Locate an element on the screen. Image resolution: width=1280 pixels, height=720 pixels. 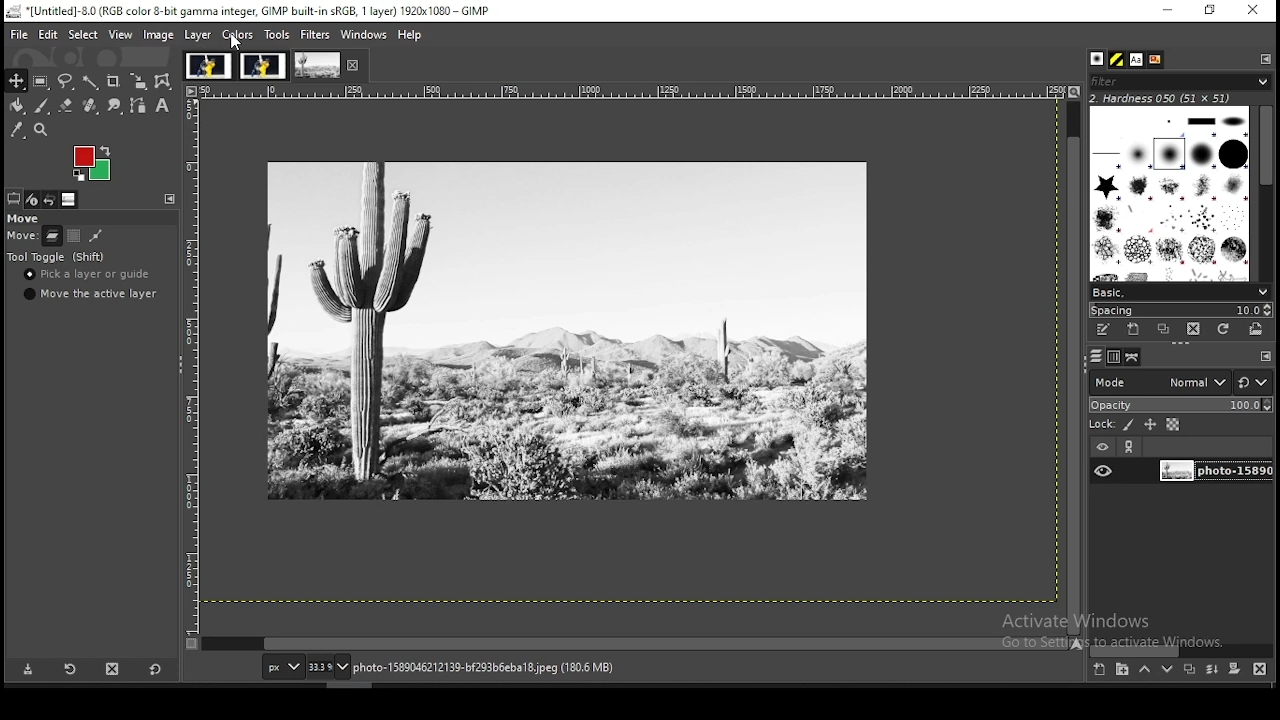
document history is located at coordinates (1156, 60).